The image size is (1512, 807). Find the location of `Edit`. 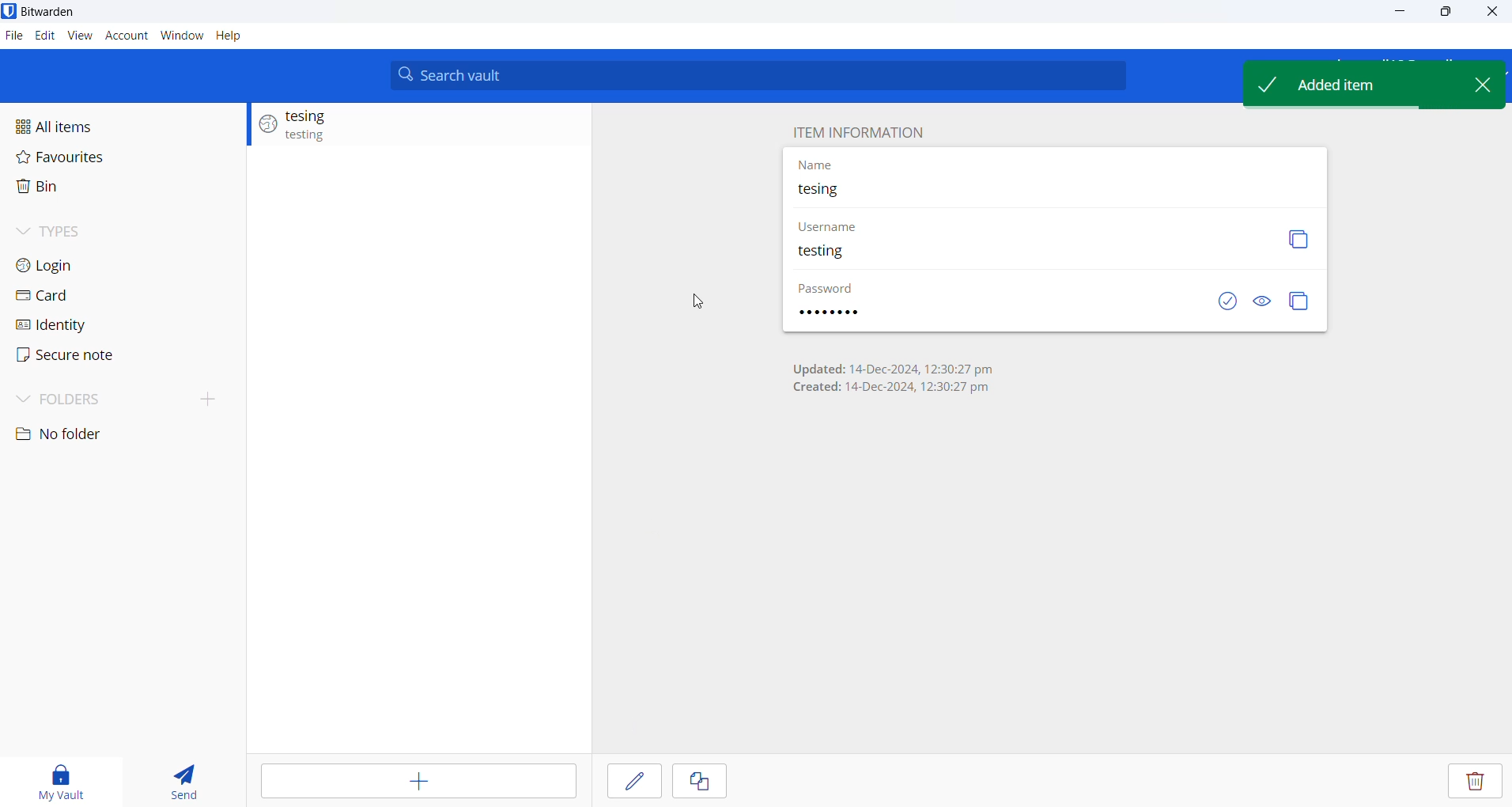

Edit is located at coordinates (44, 36).